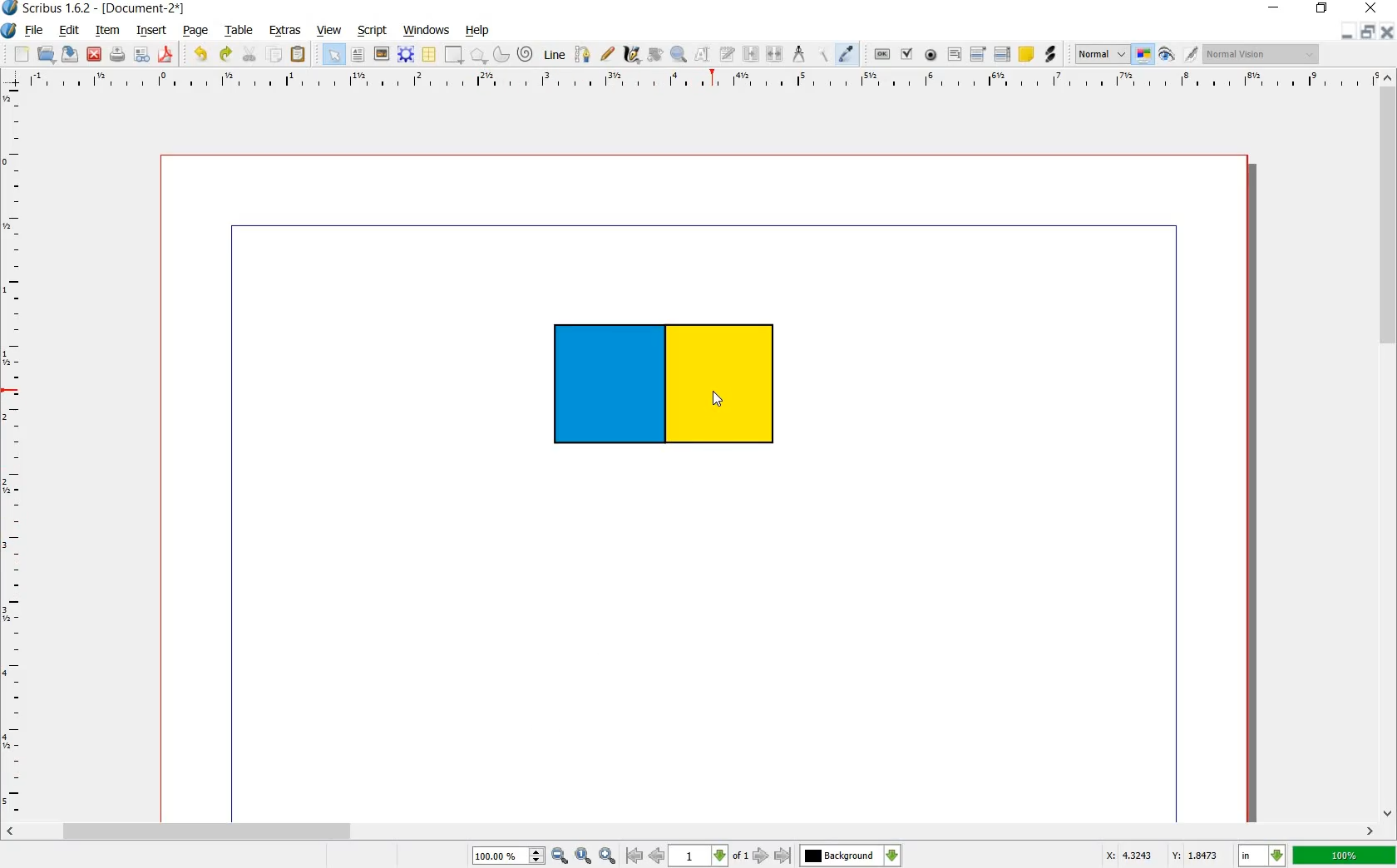 Image resolution: width=1397 pixels, height=868 pixels. Describe the element at coordinates (1102, 54) in the screenshot. I see `normal` at that location.